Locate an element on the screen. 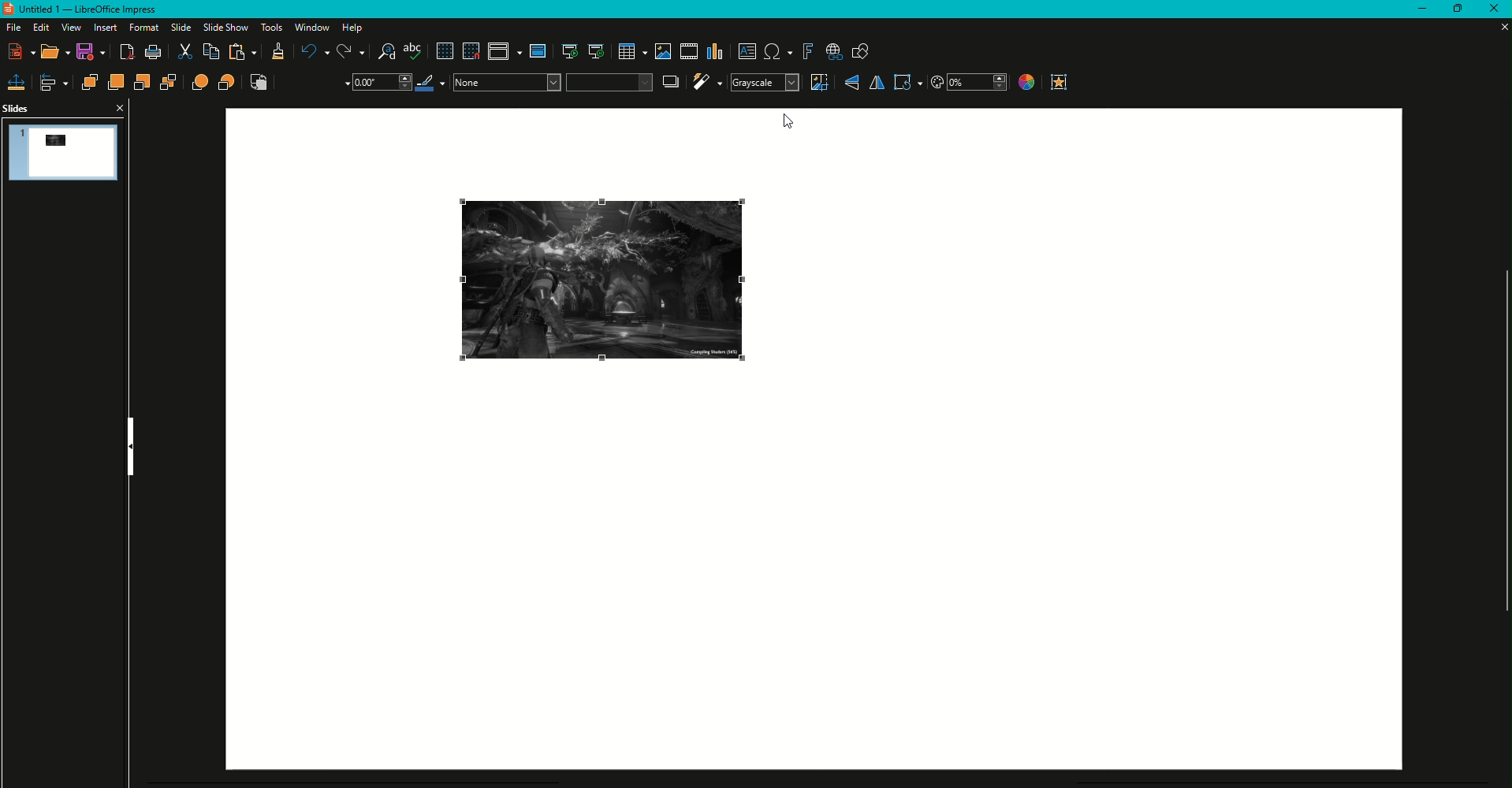 This screenshot has width=1512, height=788. Transparency is located at coordinates (969, 83).